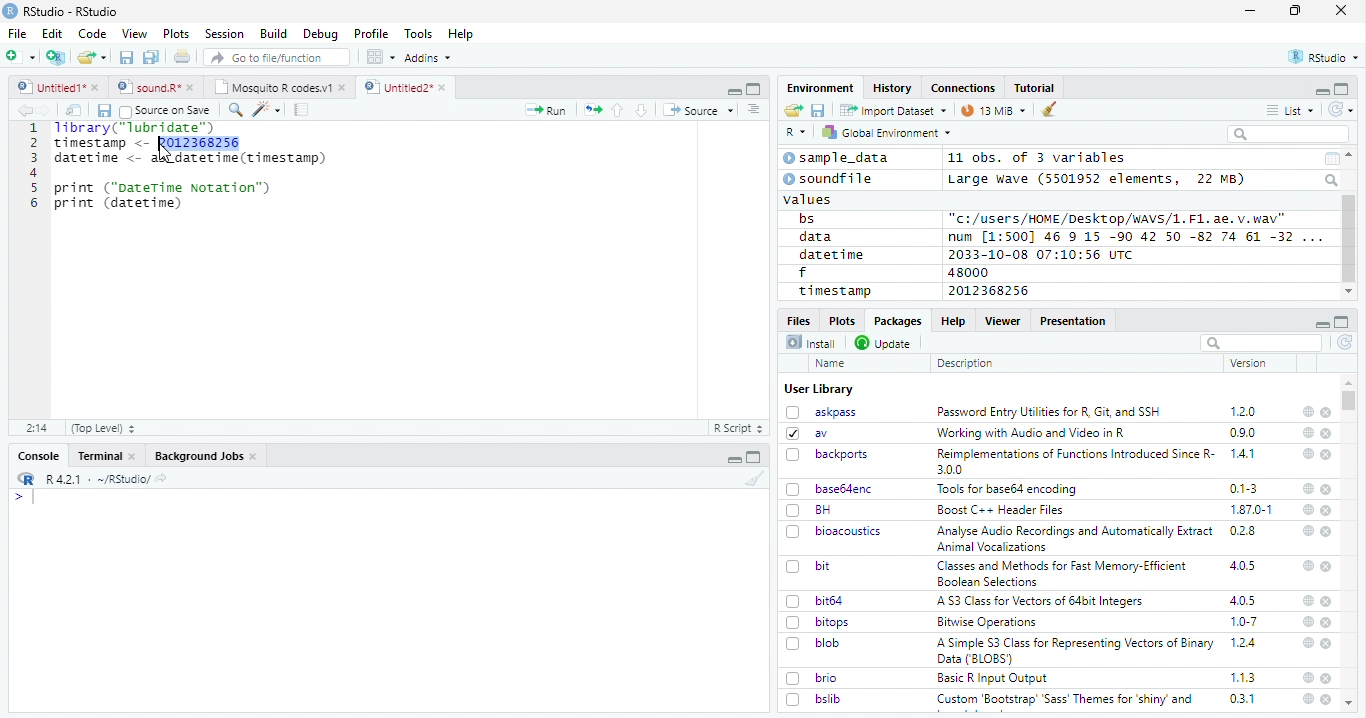  Describe the element at coordinates (1065, 702) in the screenshot. I see `Custom ‘Bootstrap’ ‘Sass’ Themes for ‘shiny’ and` at that location.